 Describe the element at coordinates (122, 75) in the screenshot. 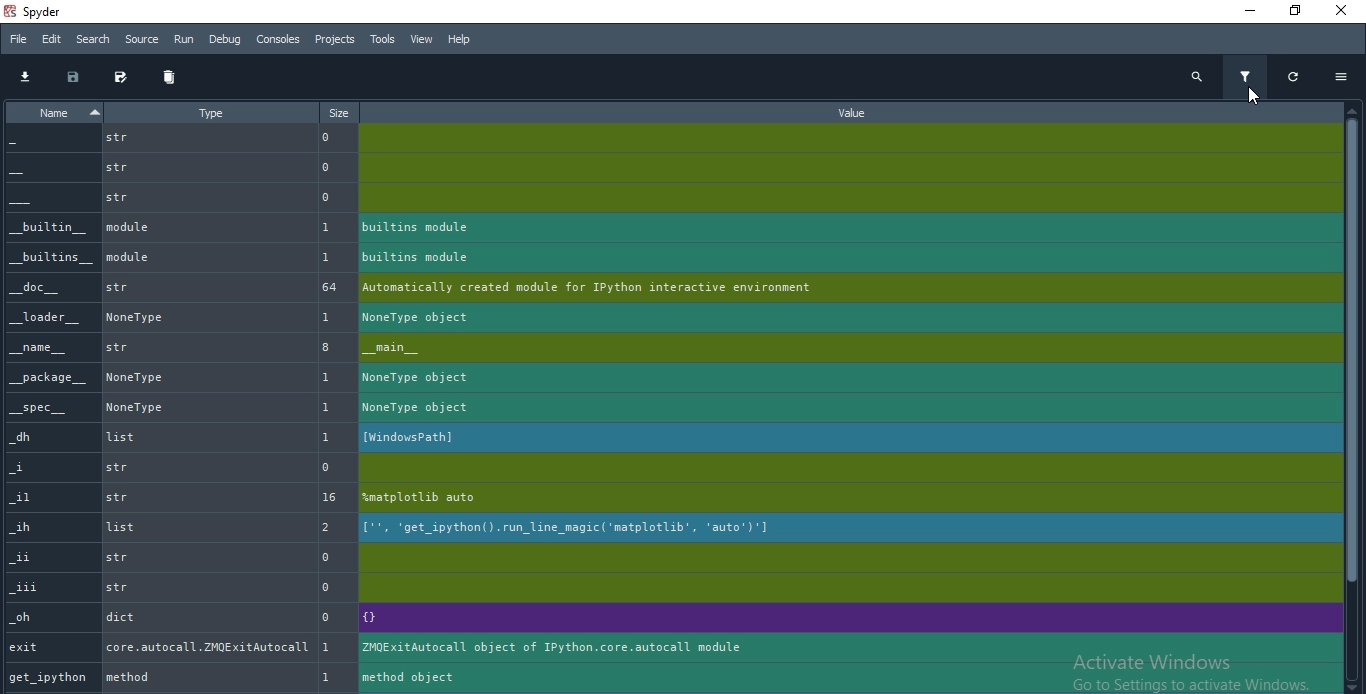

I see `edit and save` at that location.